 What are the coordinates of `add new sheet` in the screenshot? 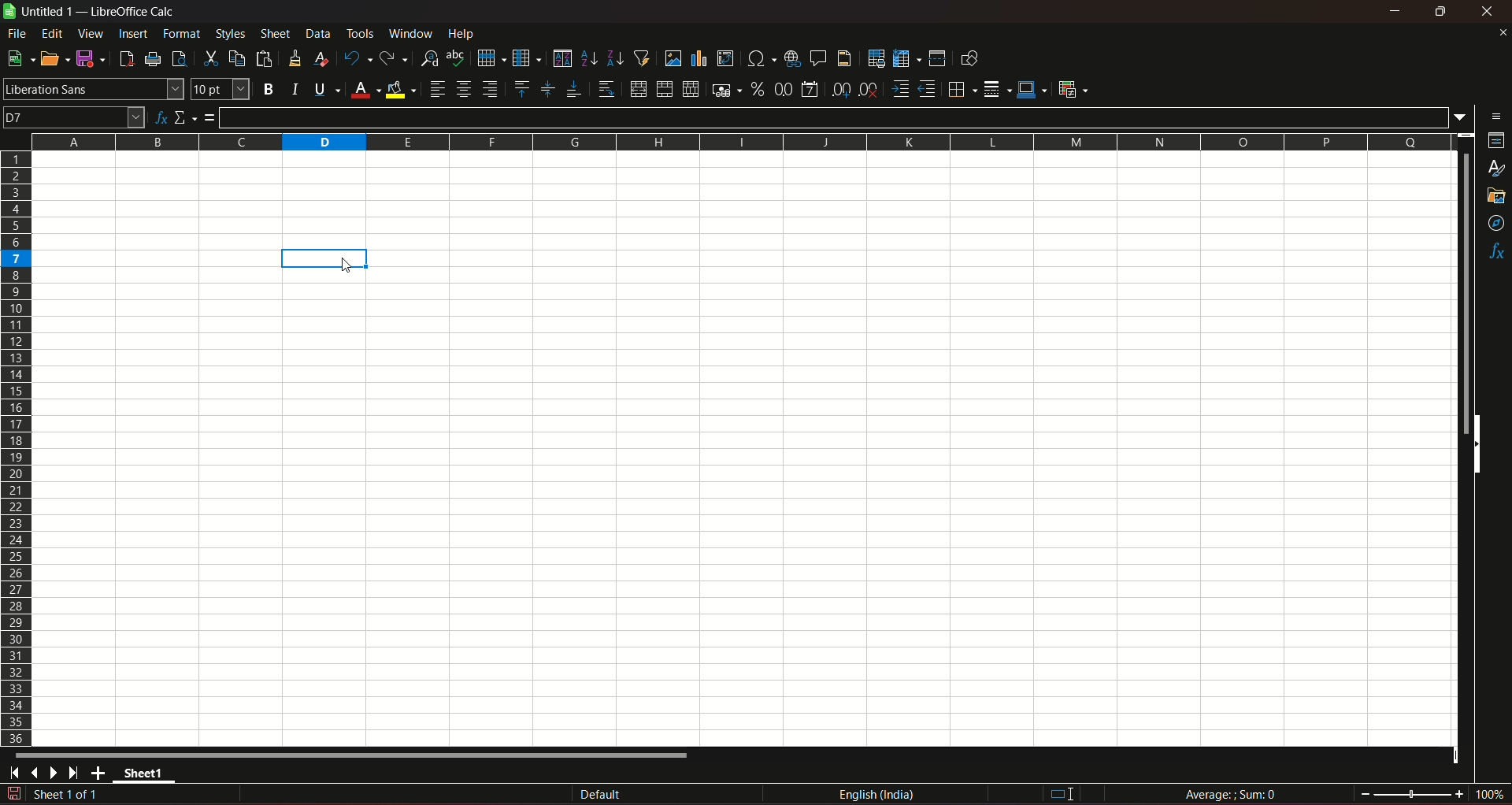 It's located at (100, 773).